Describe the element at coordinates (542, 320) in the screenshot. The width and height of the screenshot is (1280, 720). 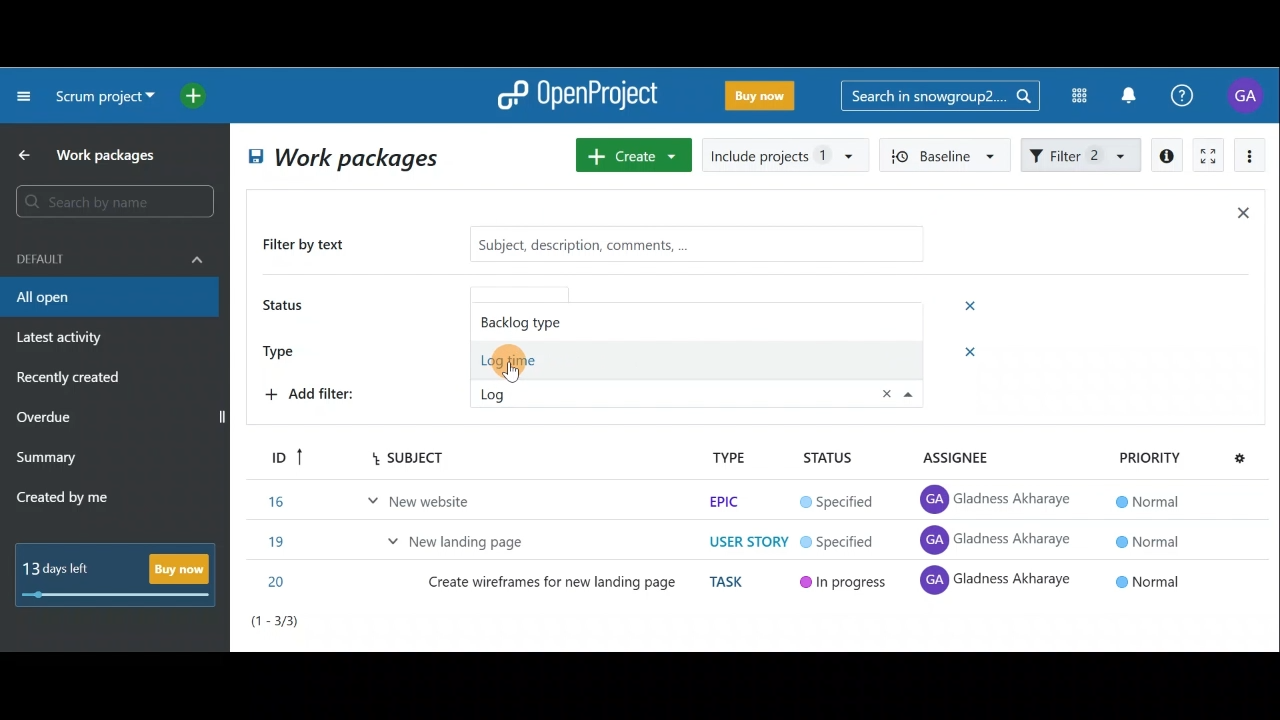
I see `Backlog type` at that location.